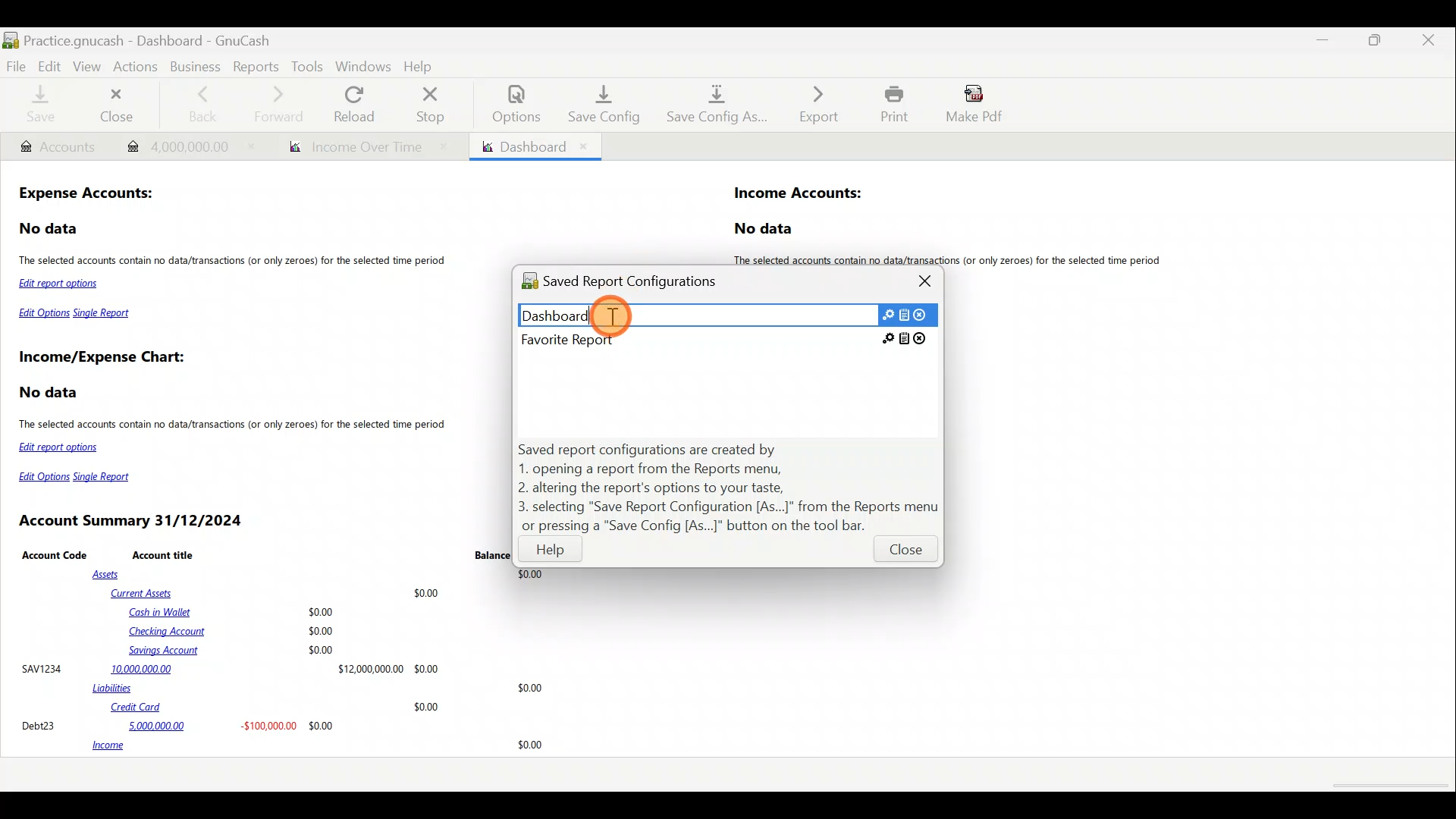 This screenshot has height=819, width=1456. Describe the element at coordinates (61, 447) in the screenshot. I see `Edit report options` at that location.